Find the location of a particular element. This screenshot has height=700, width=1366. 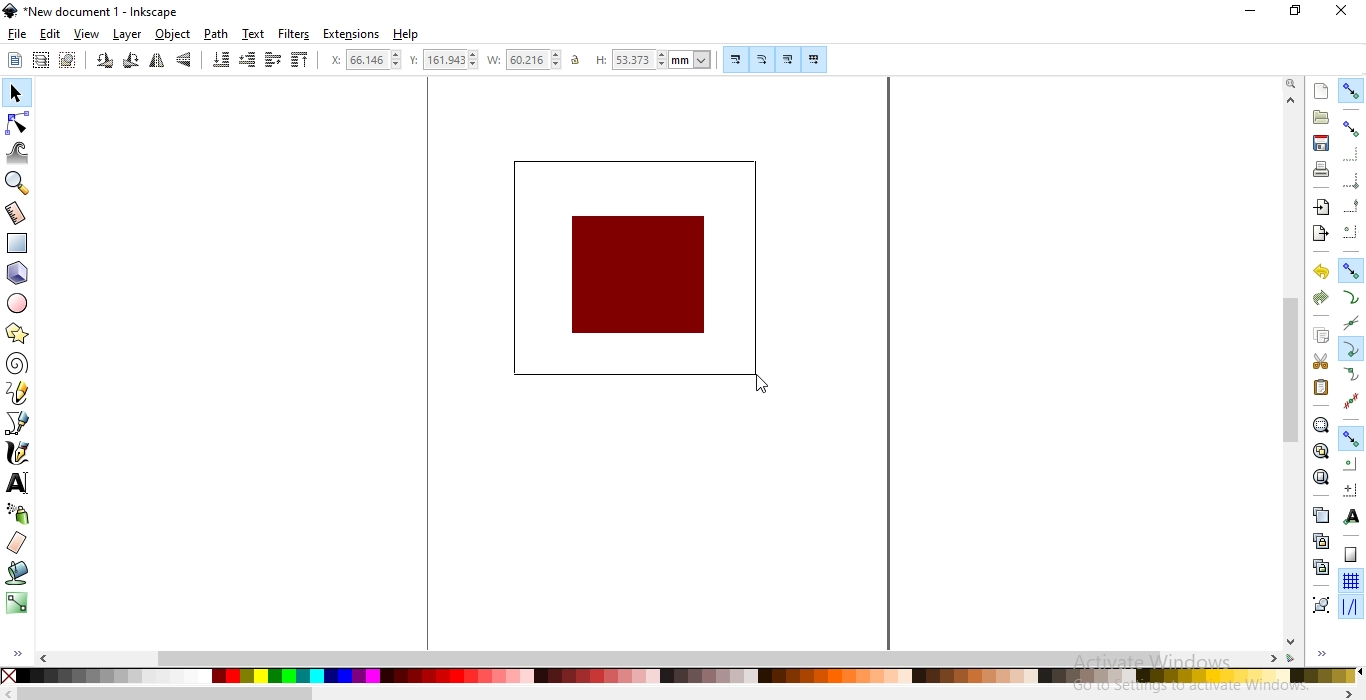

snap to edges of bounding box is located at coordinates (1349, 153).